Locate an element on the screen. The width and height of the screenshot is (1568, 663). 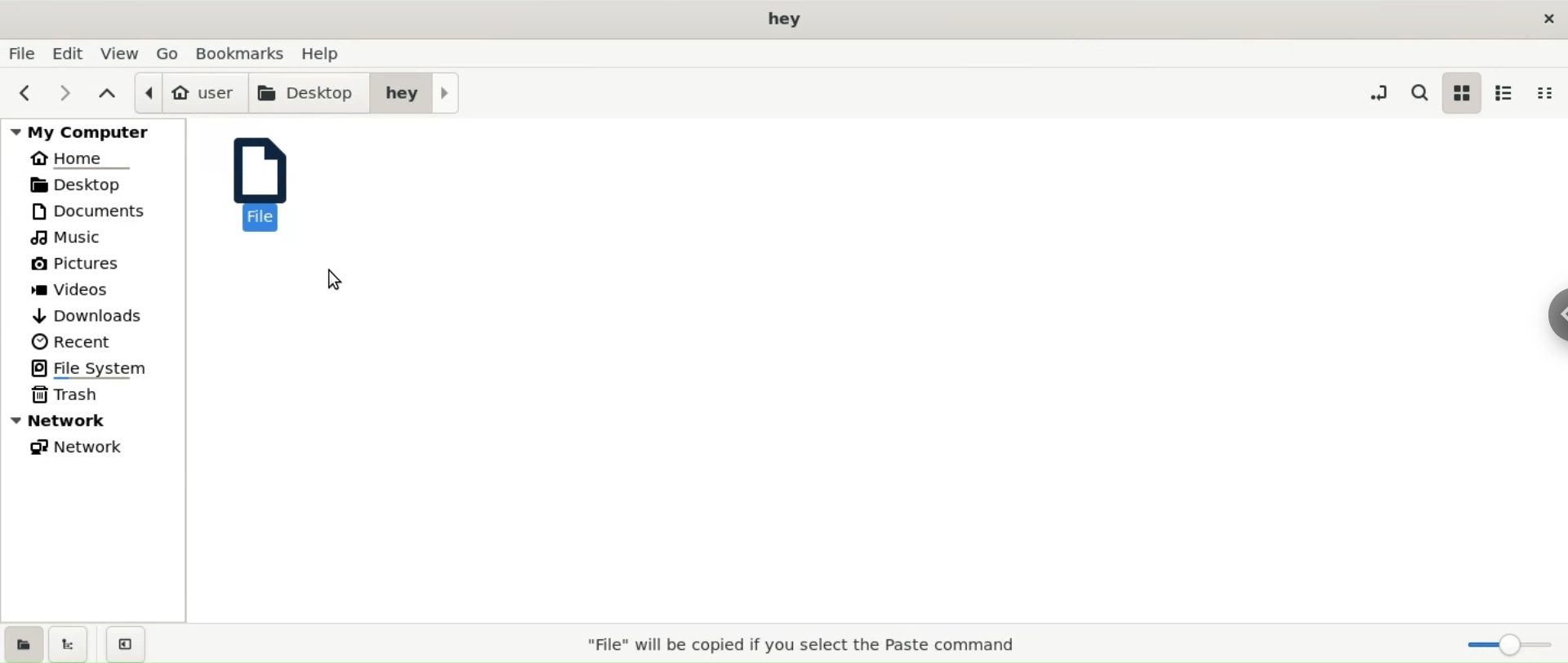
network is located at coordinates (96, 420).